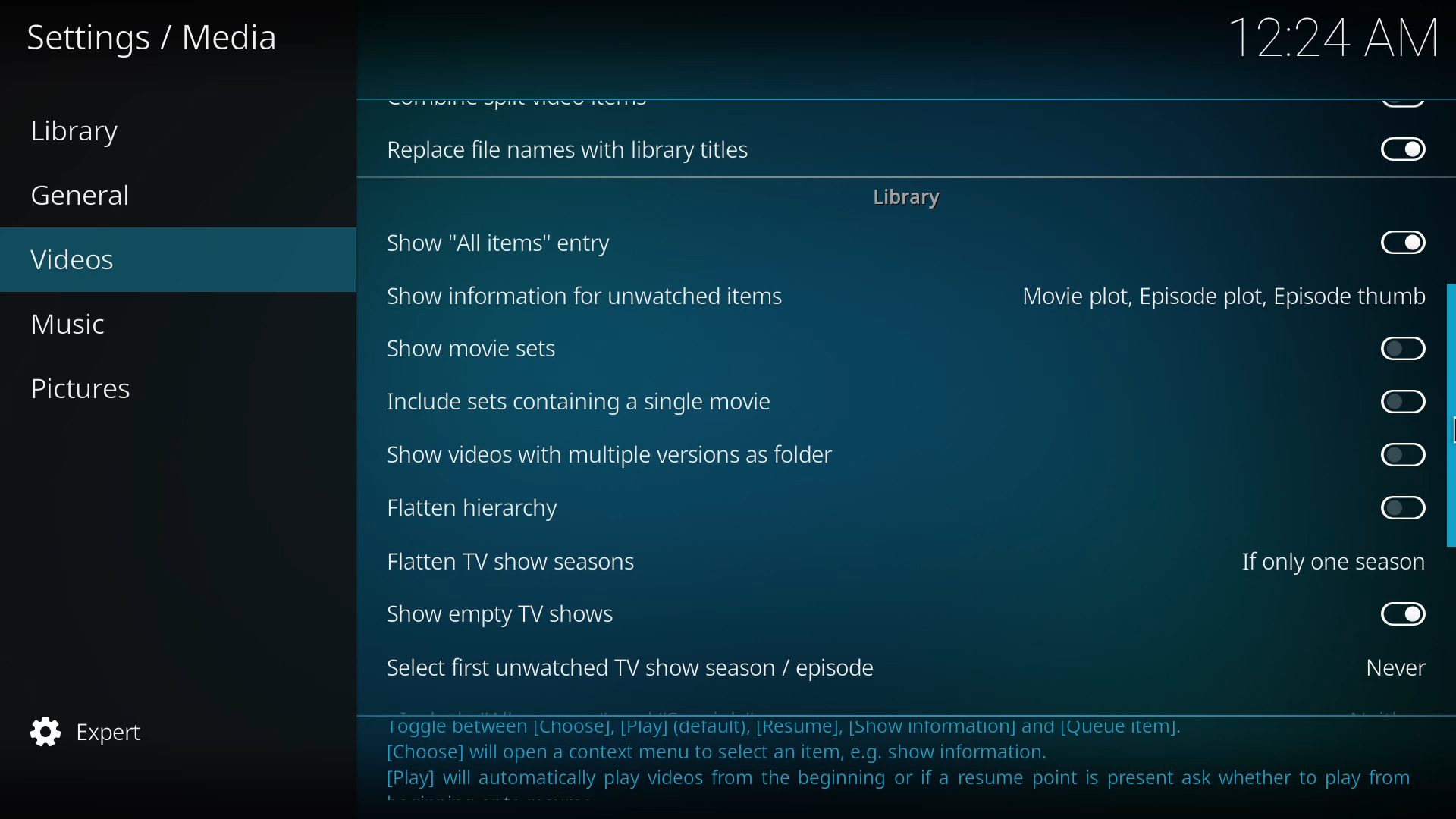 Image resolution: width=1456 pixels, height=819 pixels. Describe the element at coordinates (475, 507) in the screenshot. I see `flatten hierarchy` at that location.